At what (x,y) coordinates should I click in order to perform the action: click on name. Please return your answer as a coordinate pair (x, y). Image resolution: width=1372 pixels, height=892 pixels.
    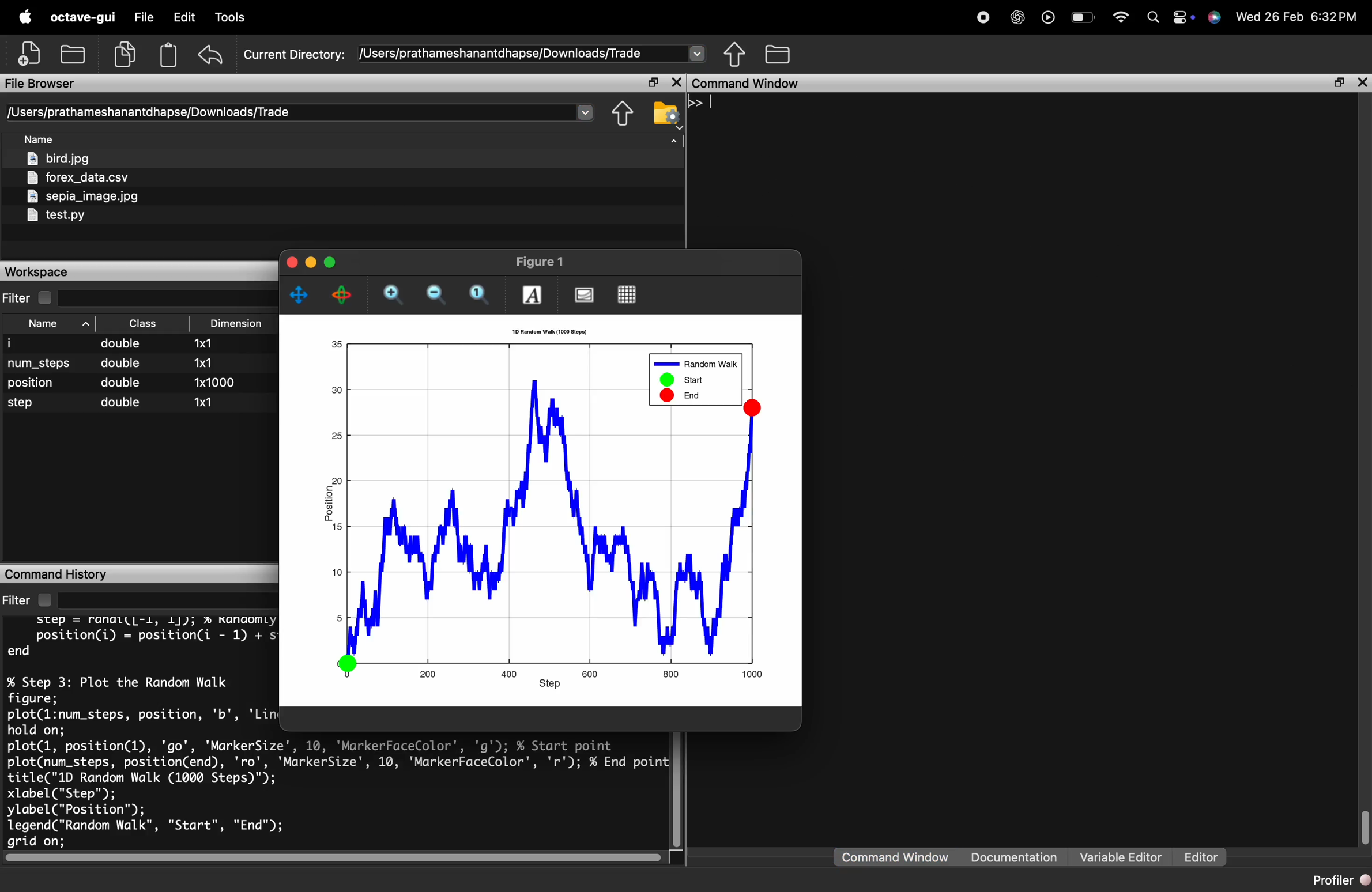
    Looking at the image, I should click on (41, 379).